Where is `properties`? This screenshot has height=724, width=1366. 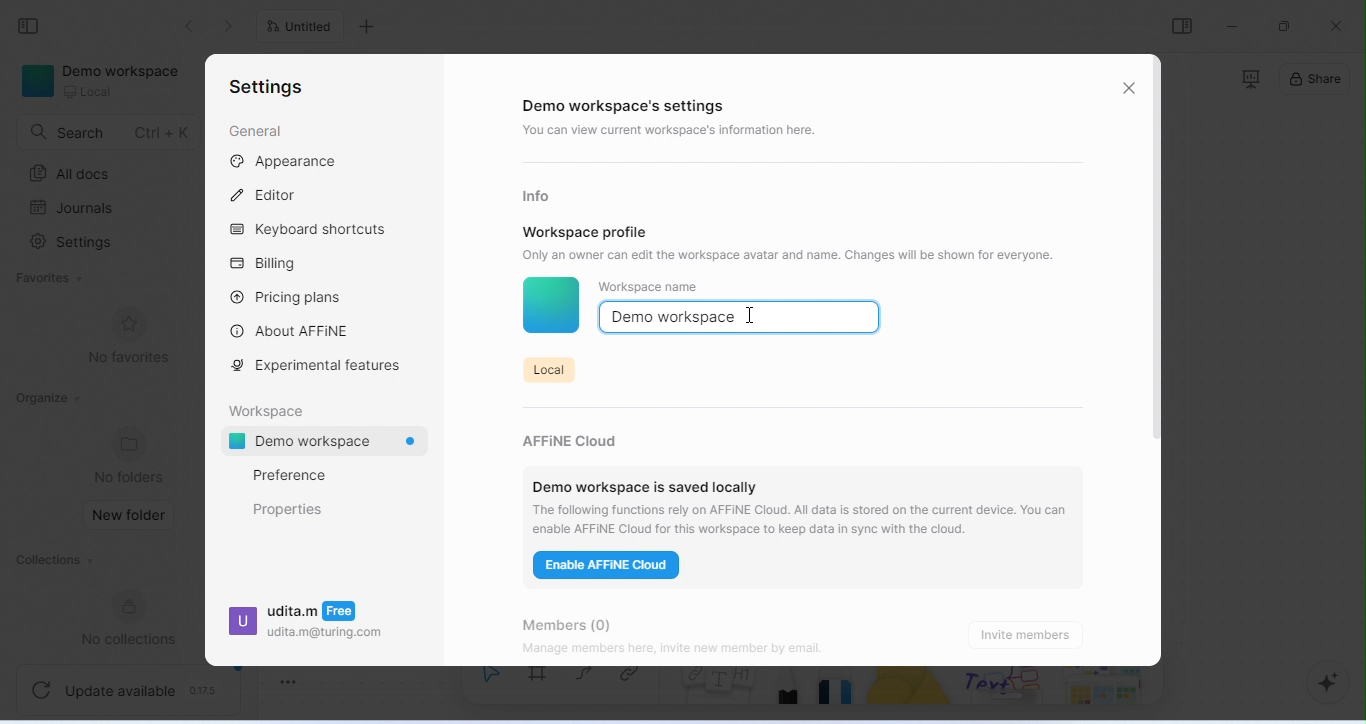 properties is located at coordinates (289, 509).